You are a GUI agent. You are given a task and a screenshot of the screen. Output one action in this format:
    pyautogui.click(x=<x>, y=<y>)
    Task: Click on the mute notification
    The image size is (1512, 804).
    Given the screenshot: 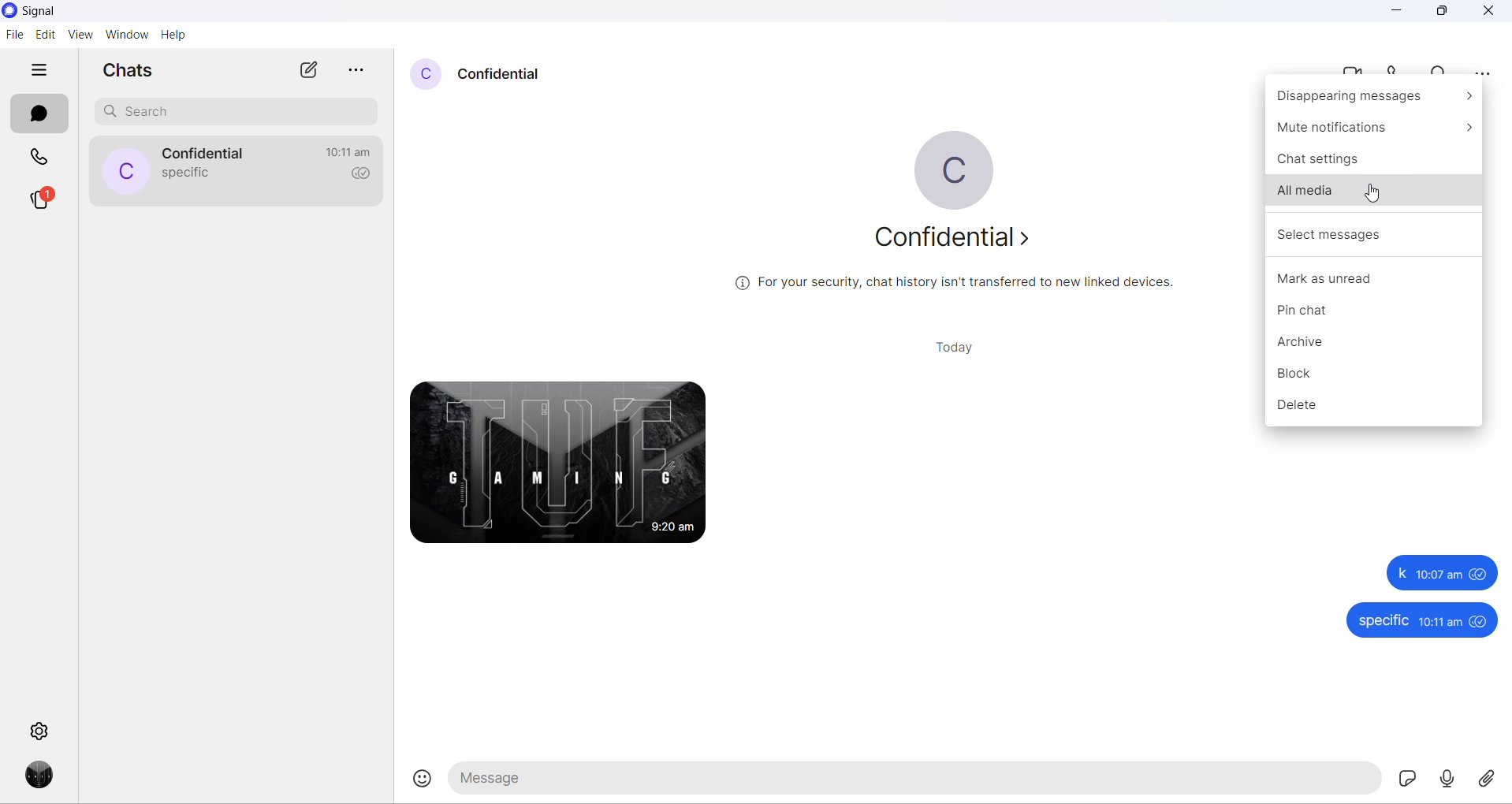 What is the action you would take?
    pyautogui.click(x=1373, y=131)
    